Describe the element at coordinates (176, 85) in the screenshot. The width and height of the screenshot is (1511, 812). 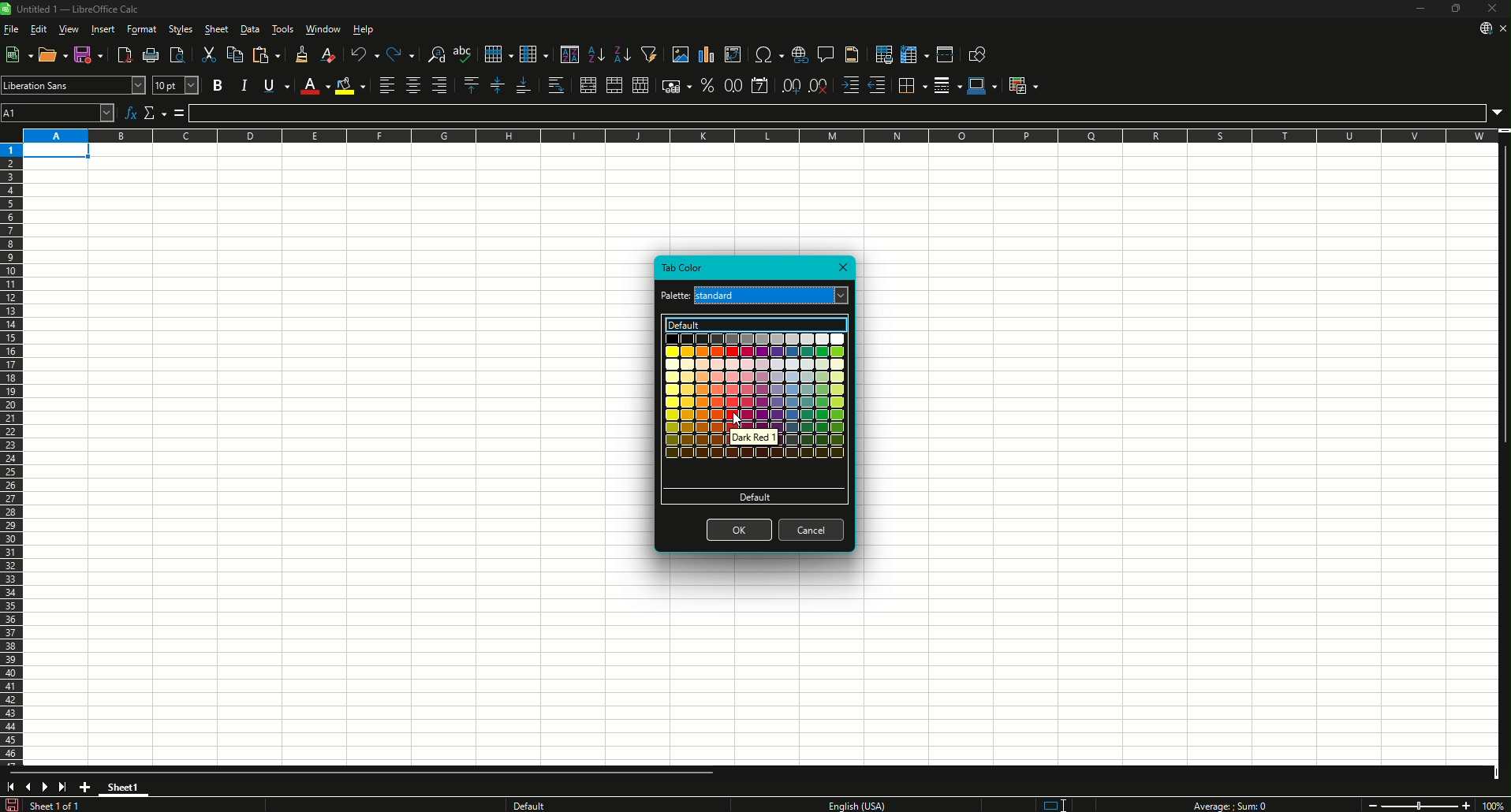
I see `Font Size` at that location.